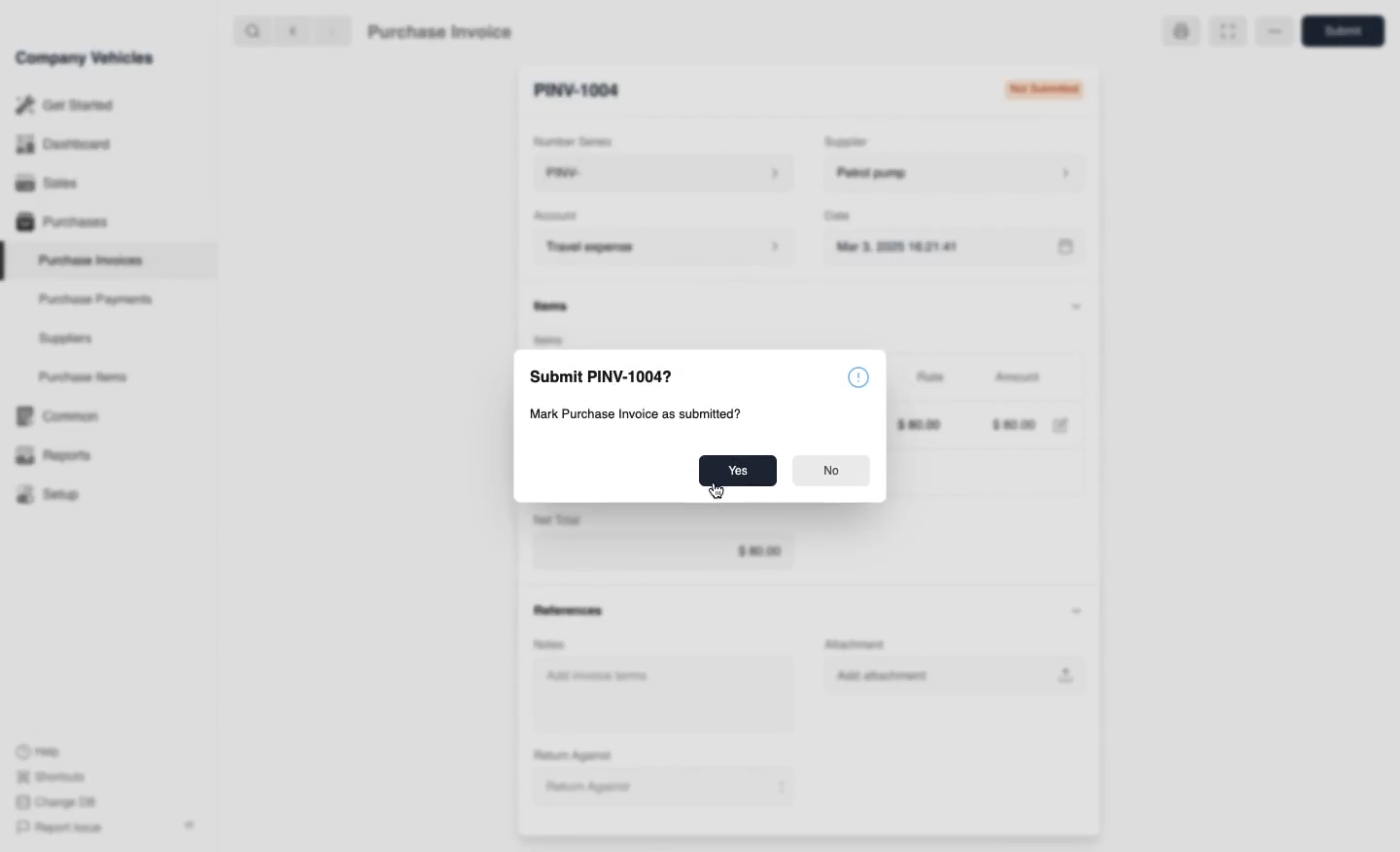 Image resolution: width=1400 pixels, height=852 pixels. I want to click on Submit PINV-1004?, so click(606, 376).